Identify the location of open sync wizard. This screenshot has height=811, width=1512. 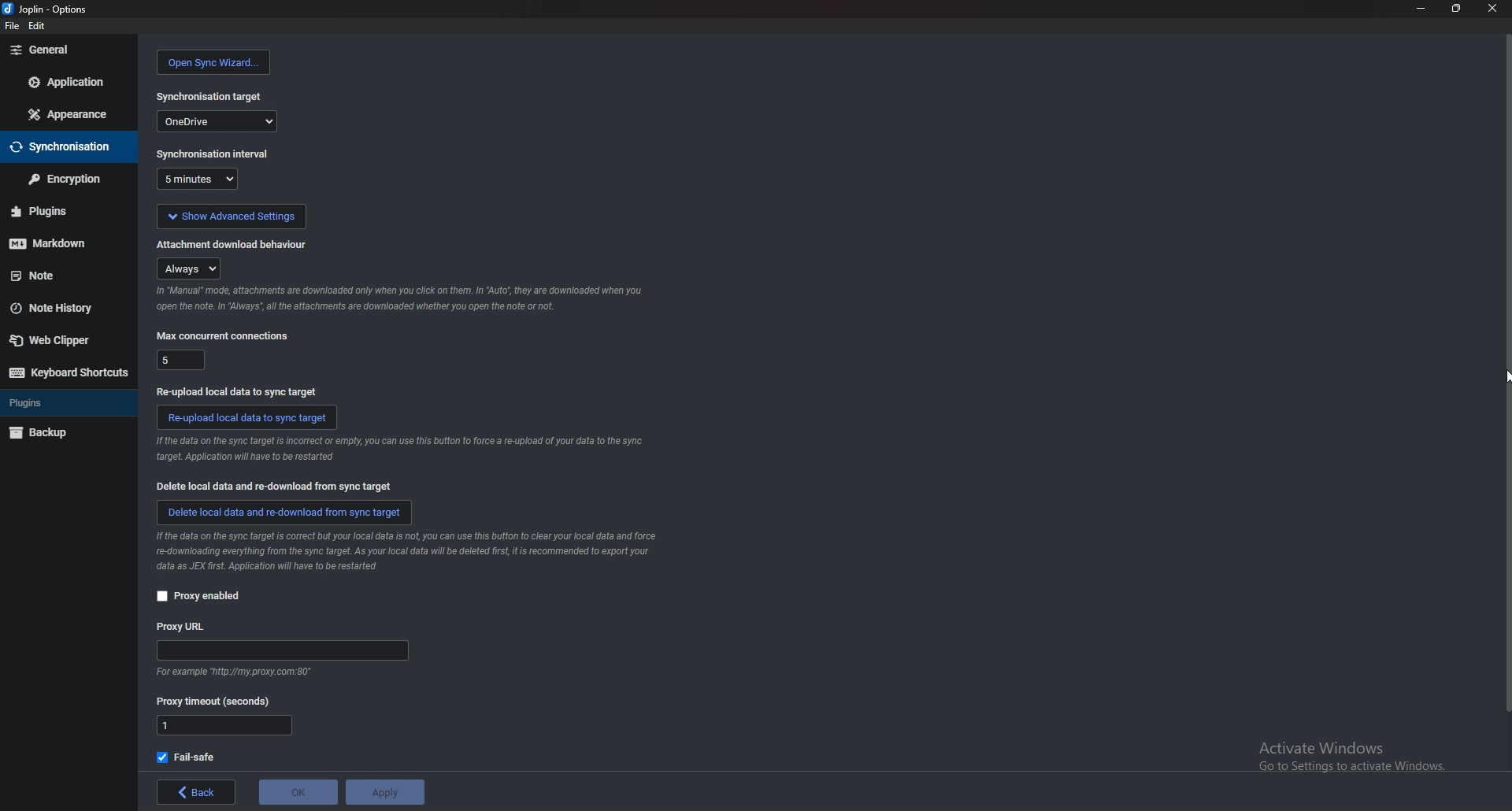
(213, 62).